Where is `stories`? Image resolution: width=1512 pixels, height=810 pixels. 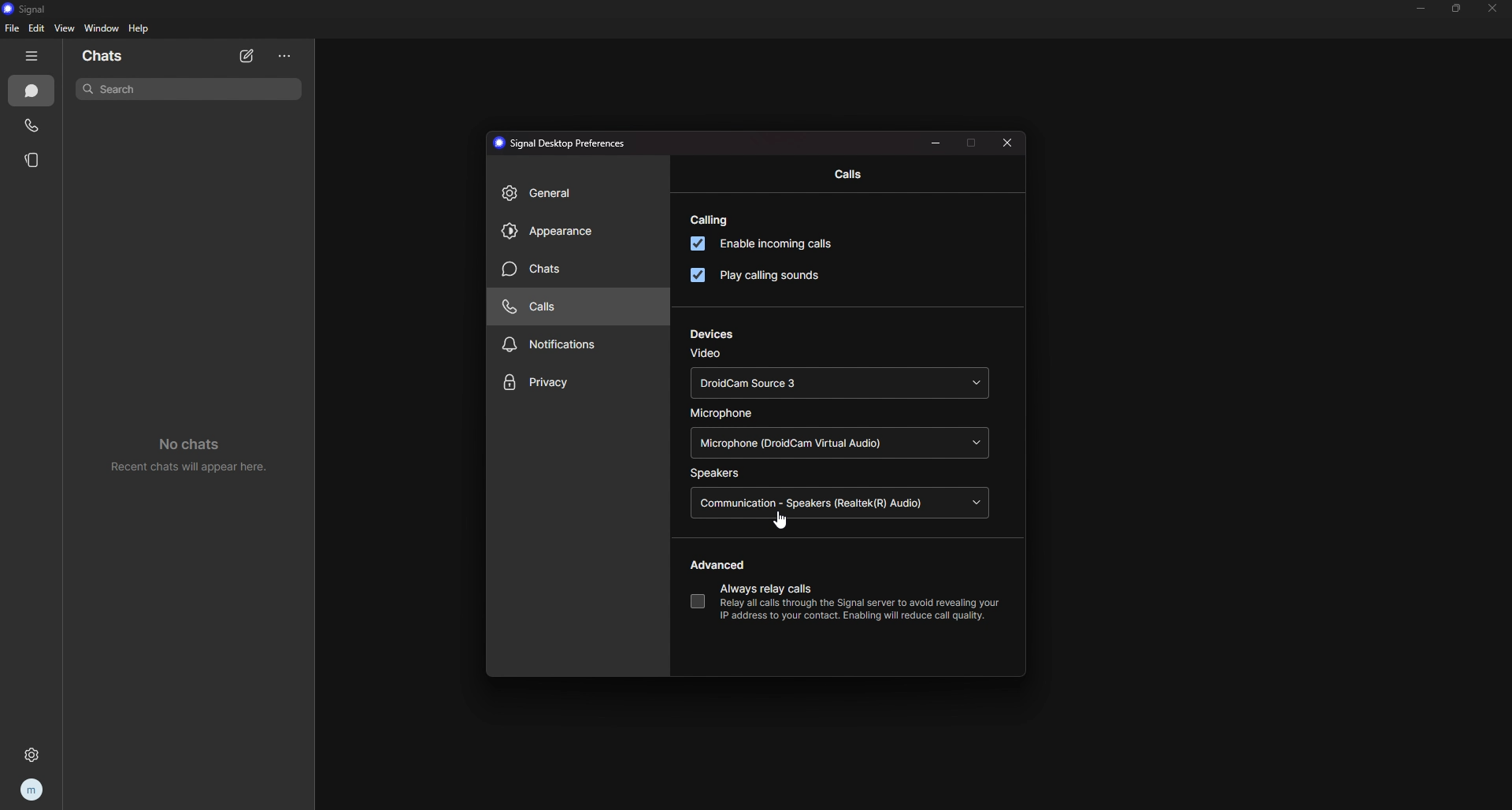 stories is located at coordinates (34, 160).